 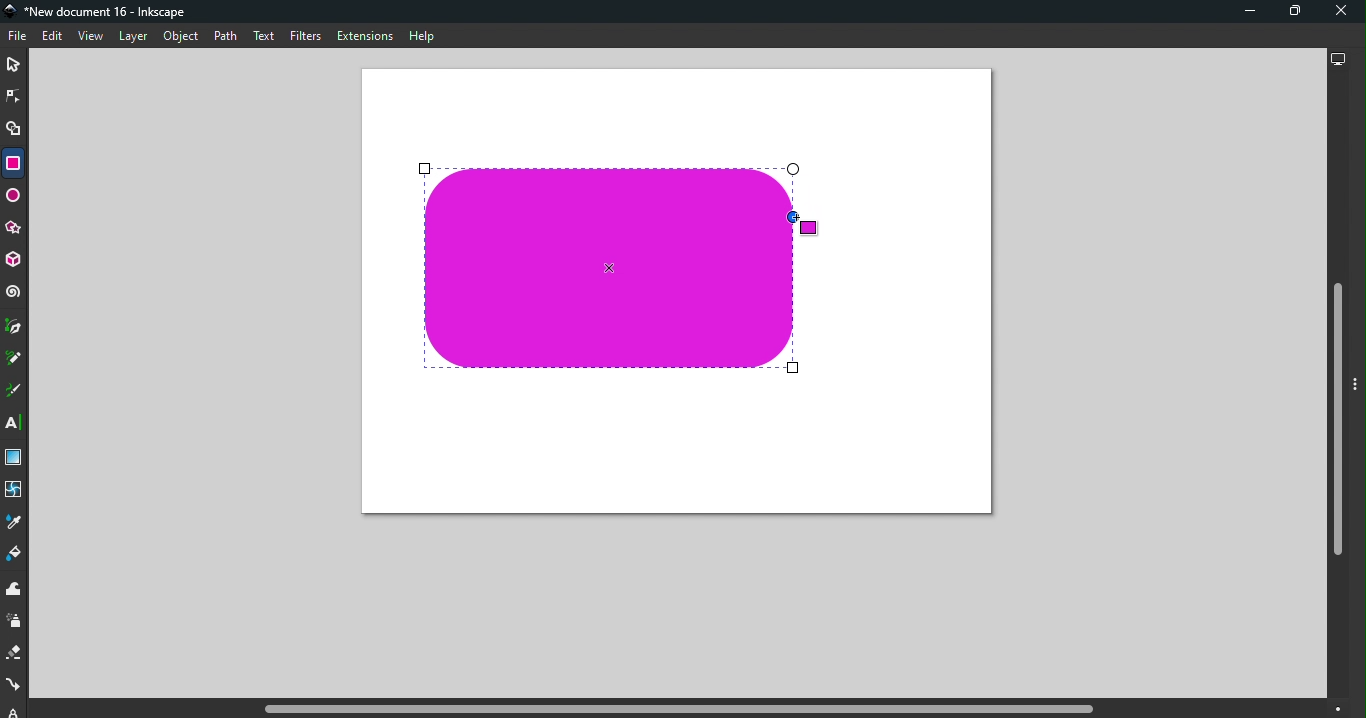 What do you see at coordinates (15, 229) in the screenshot?
I see `Star/polygon tool` at bounding box center [15, 229].